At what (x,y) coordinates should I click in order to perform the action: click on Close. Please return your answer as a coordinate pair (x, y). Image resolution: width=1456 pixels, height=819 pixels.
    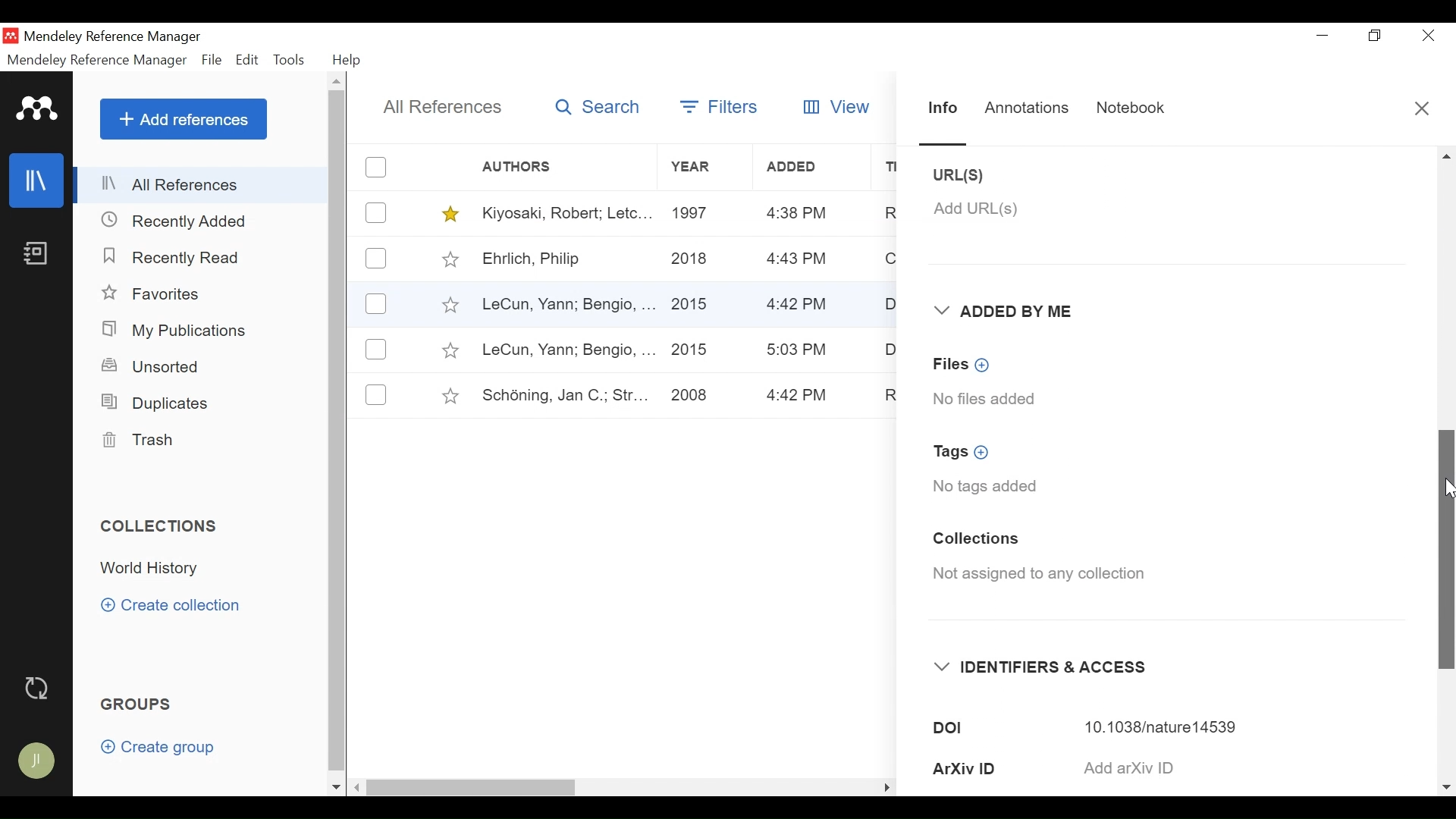
    Looking at the image, I should click on (1423, 112).